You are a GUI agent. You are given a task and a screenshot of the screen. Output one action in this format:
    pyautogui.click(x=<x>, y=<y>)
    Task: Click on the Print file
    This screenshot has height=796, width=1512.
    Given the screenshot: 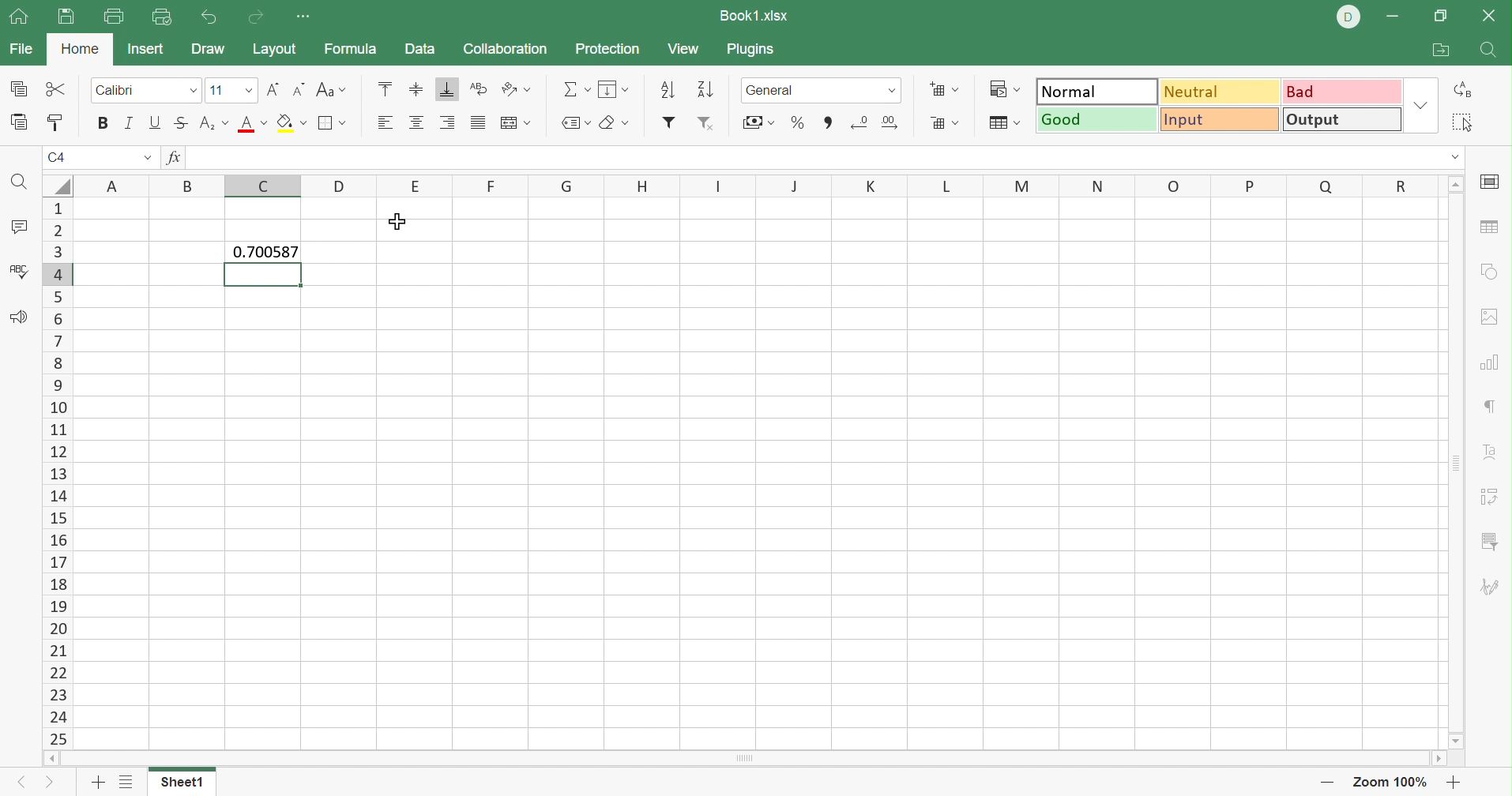 What is the action you would take?
    pyautogui.click(x=114, y=16)
    